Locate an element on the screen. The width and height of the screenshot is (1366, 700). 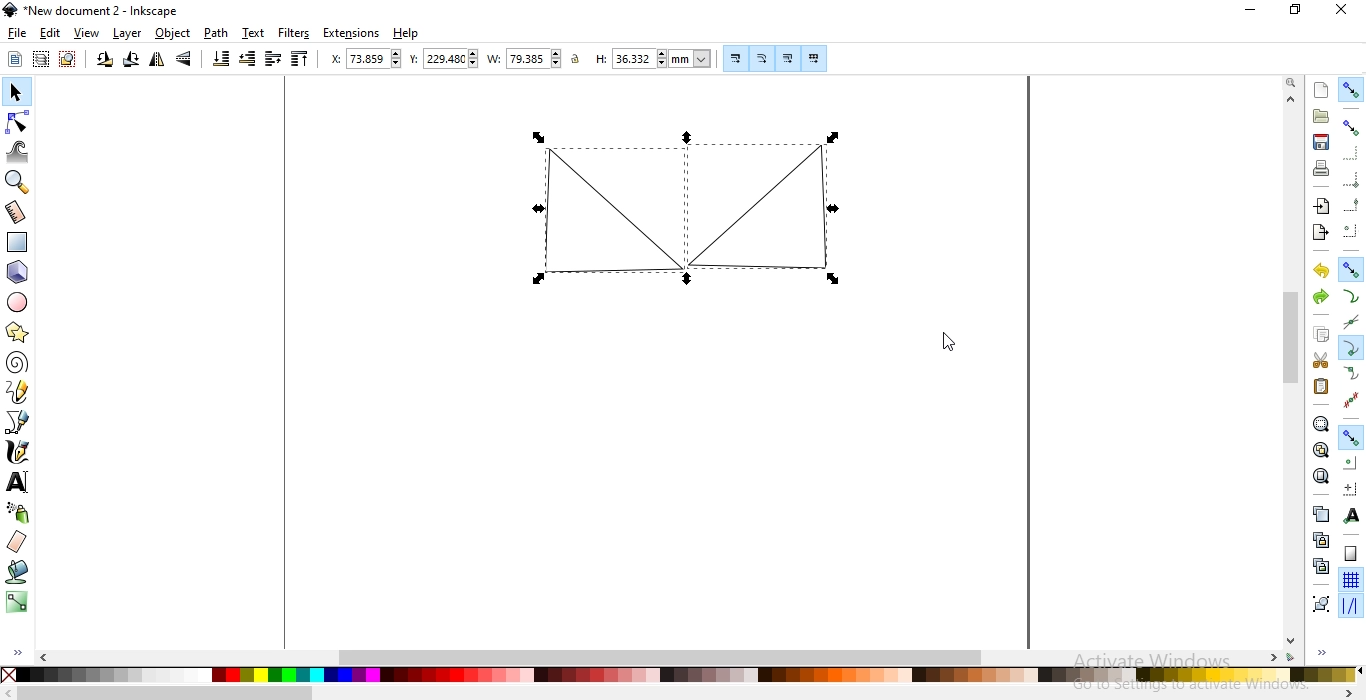
expand/hide sidebar is located at coordinates (1328, 654).